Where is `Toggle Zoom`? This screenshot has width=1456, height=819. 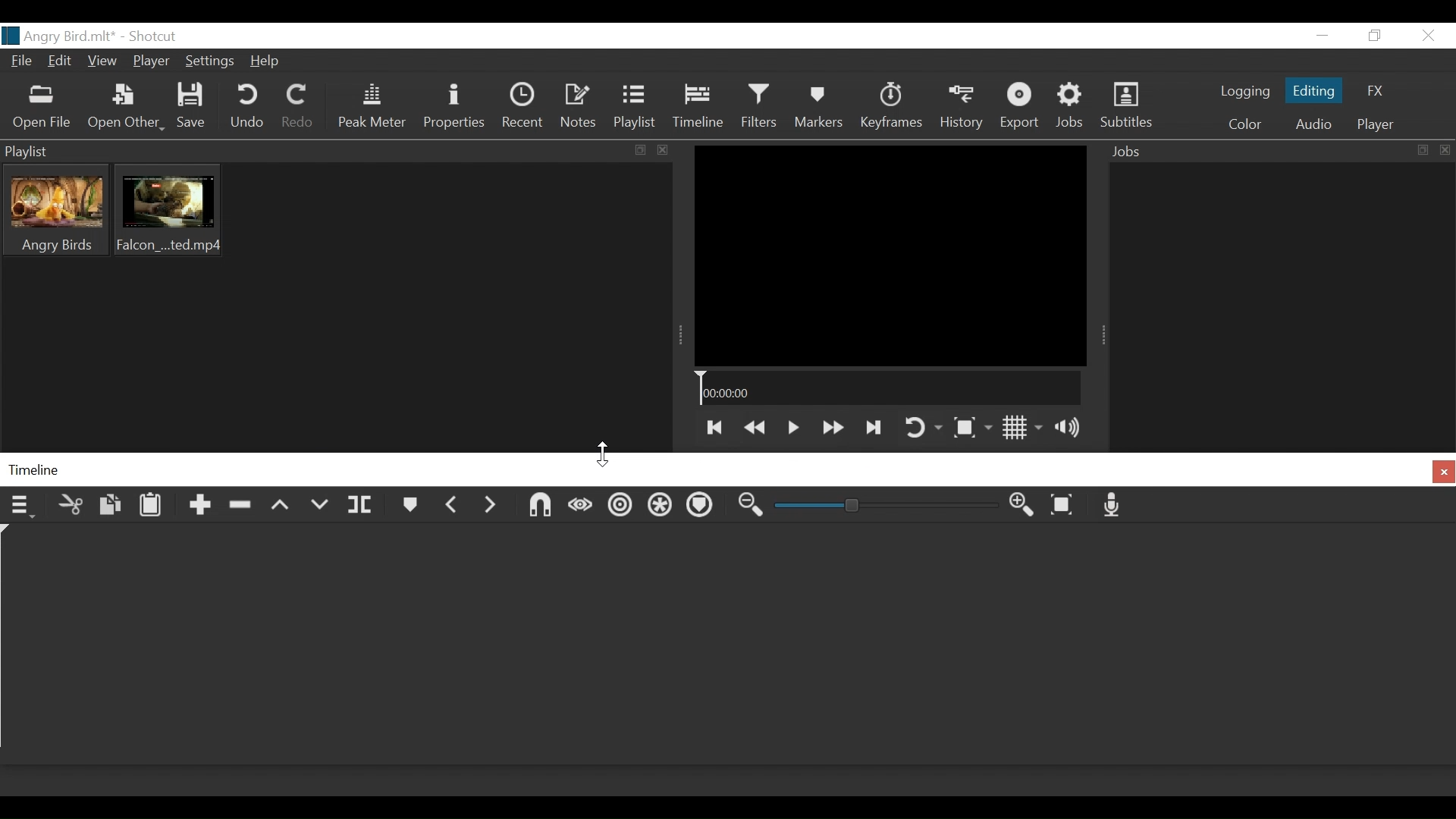 Toggle Zoom is located at coordinates (972, 430).